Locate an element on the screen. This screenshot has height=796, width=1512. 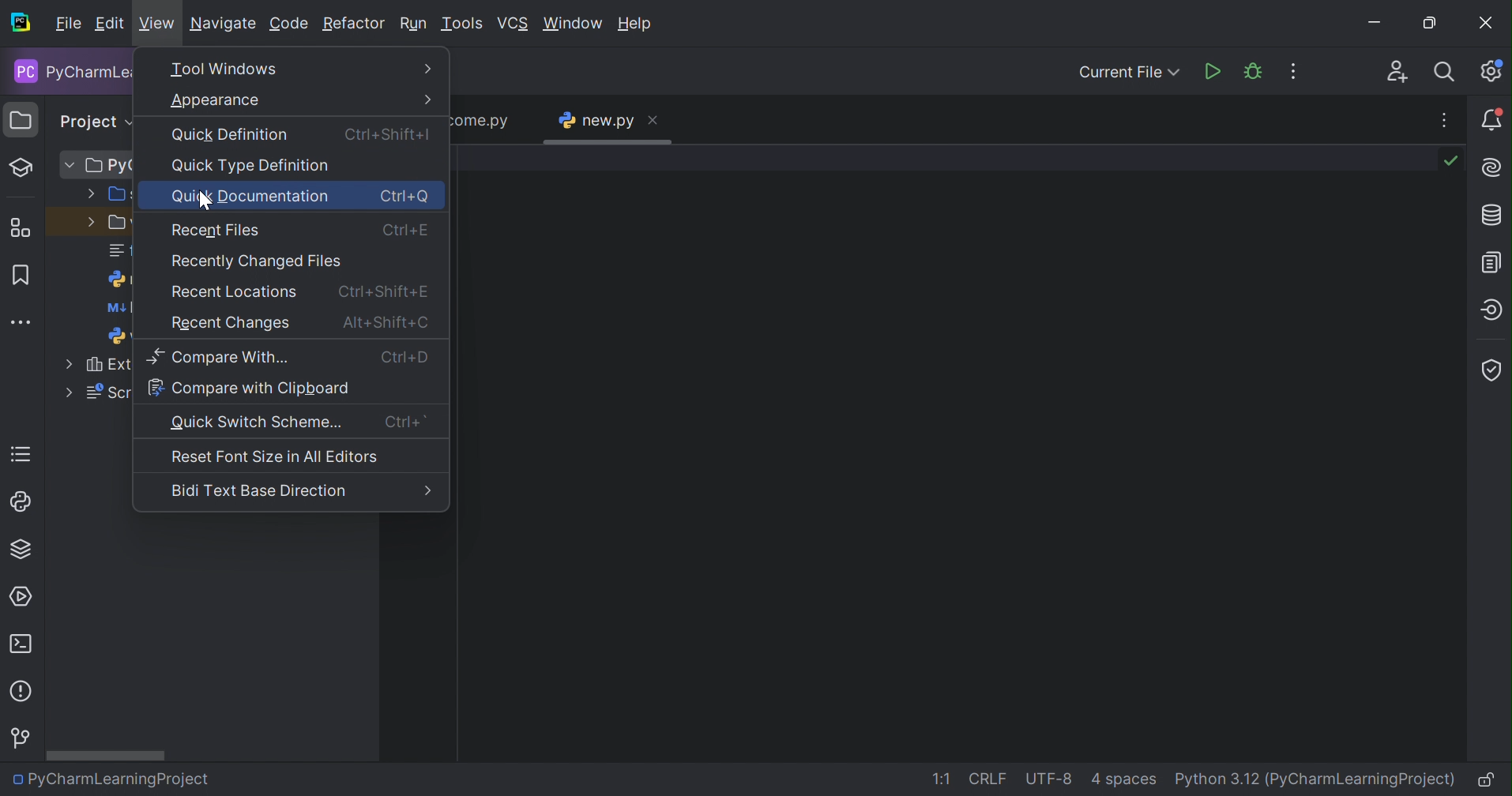
Run is located at coordinates (415, 24).